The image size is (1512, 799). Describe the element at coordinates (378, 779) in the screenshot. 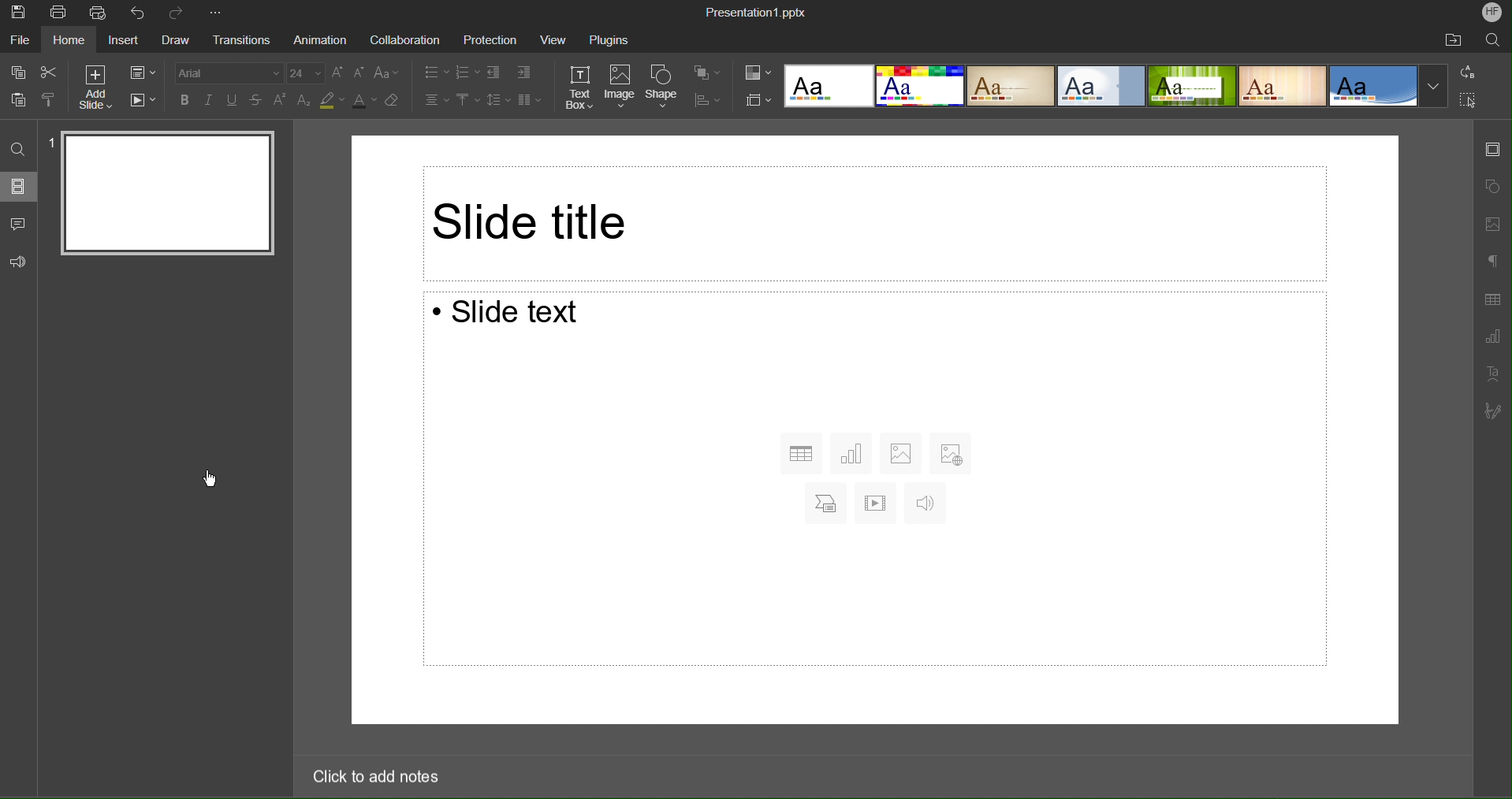

I see `Click to add notes` at that location.